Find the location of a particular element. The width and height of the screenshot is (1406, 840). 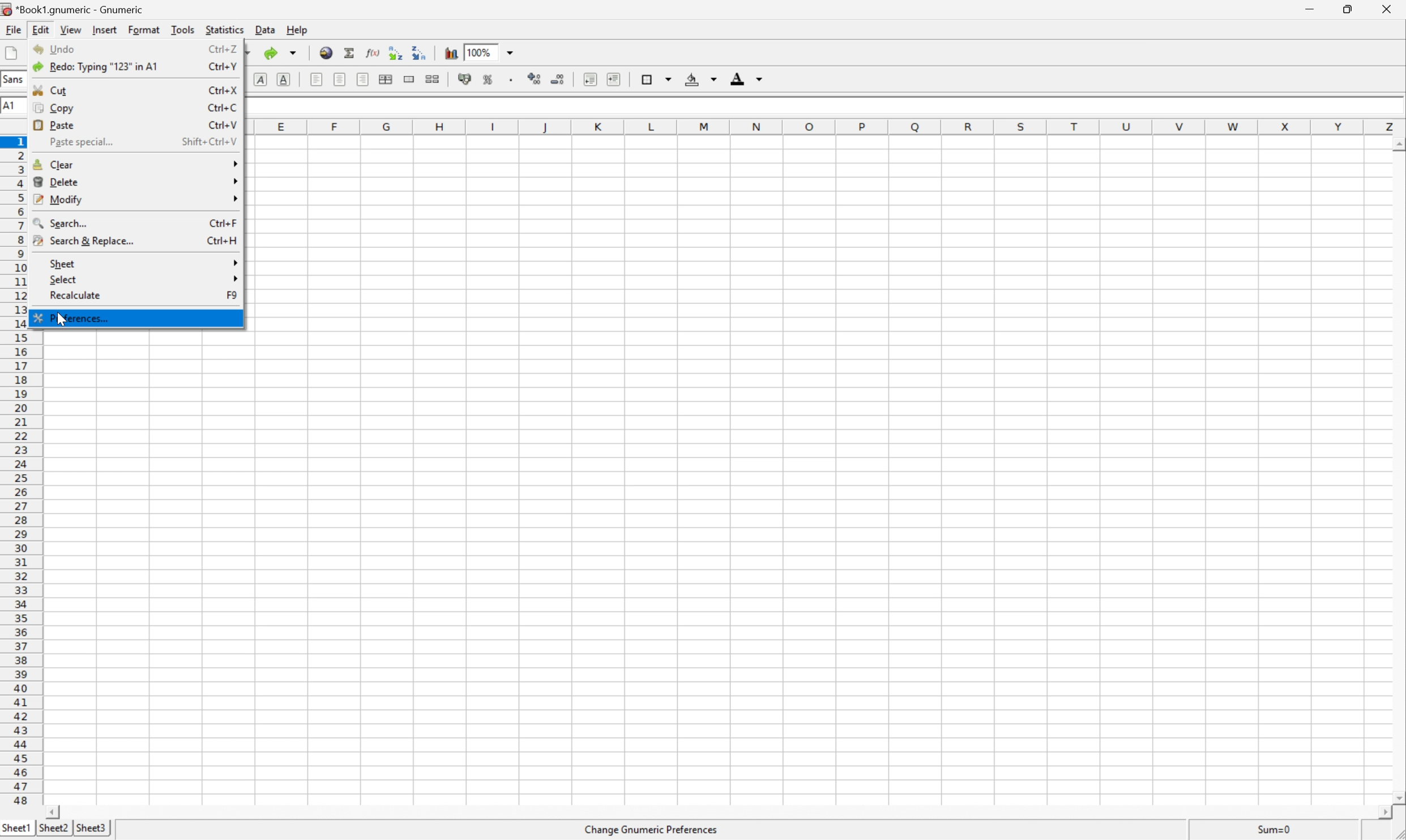

paste special  shift+ctrl+v is located at coordinates (139, 142).